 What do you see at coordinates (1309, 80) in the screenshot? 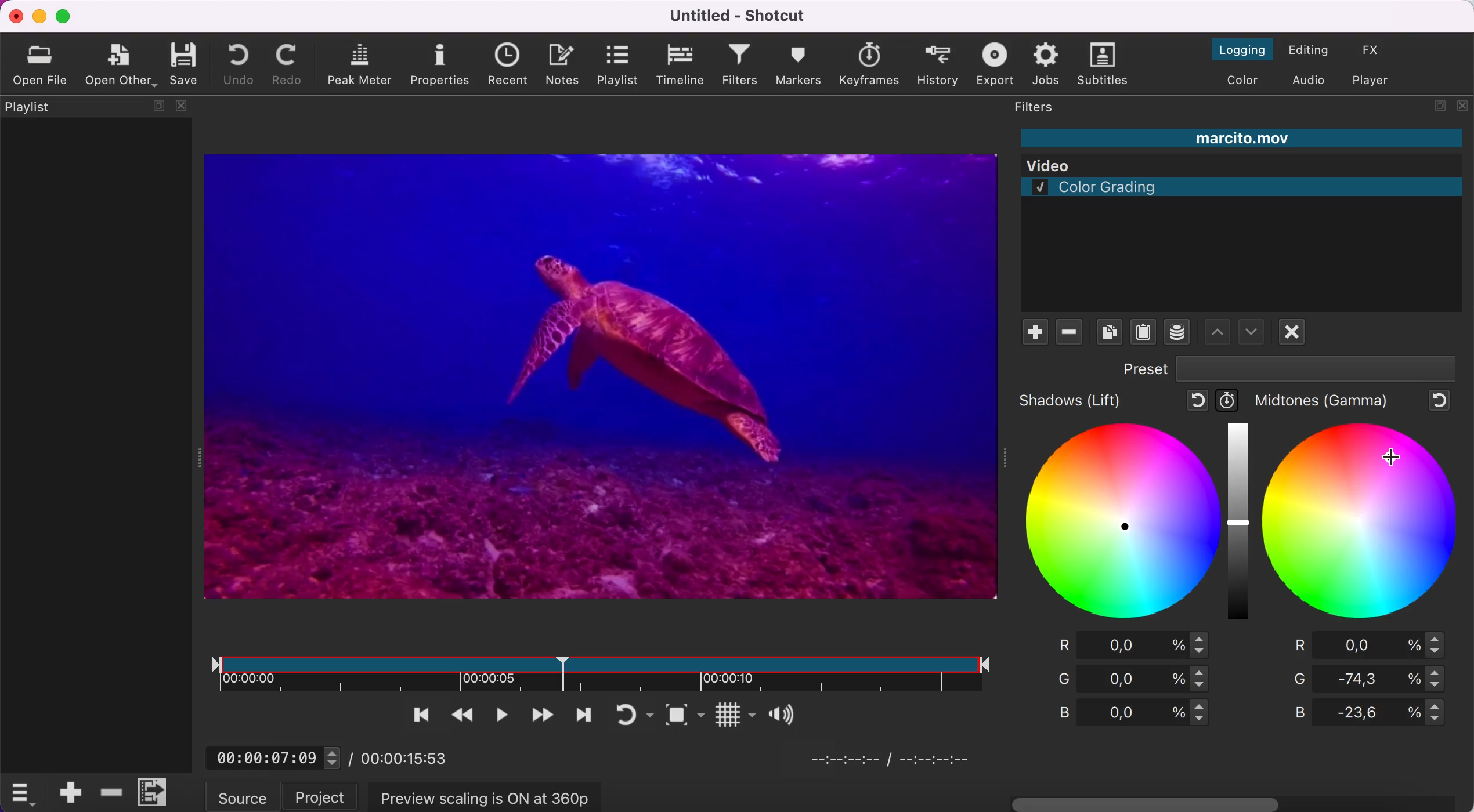
I see `switch to the audio layout` at bounding box center [1309, 80].